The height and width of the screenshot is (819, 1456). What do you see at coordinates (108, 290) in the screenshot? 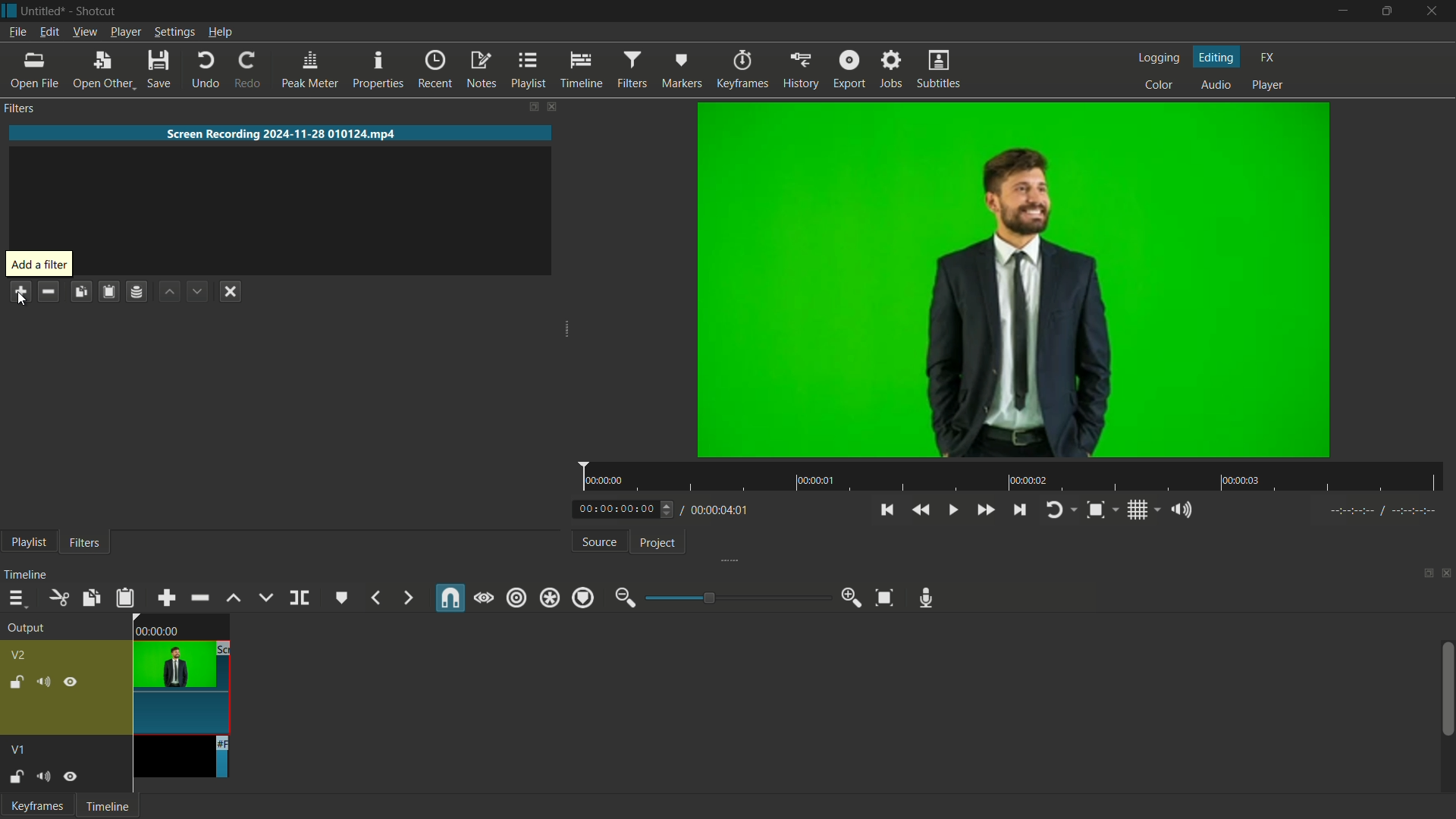
I see `paste filter set` at bounding box center [108, 290].